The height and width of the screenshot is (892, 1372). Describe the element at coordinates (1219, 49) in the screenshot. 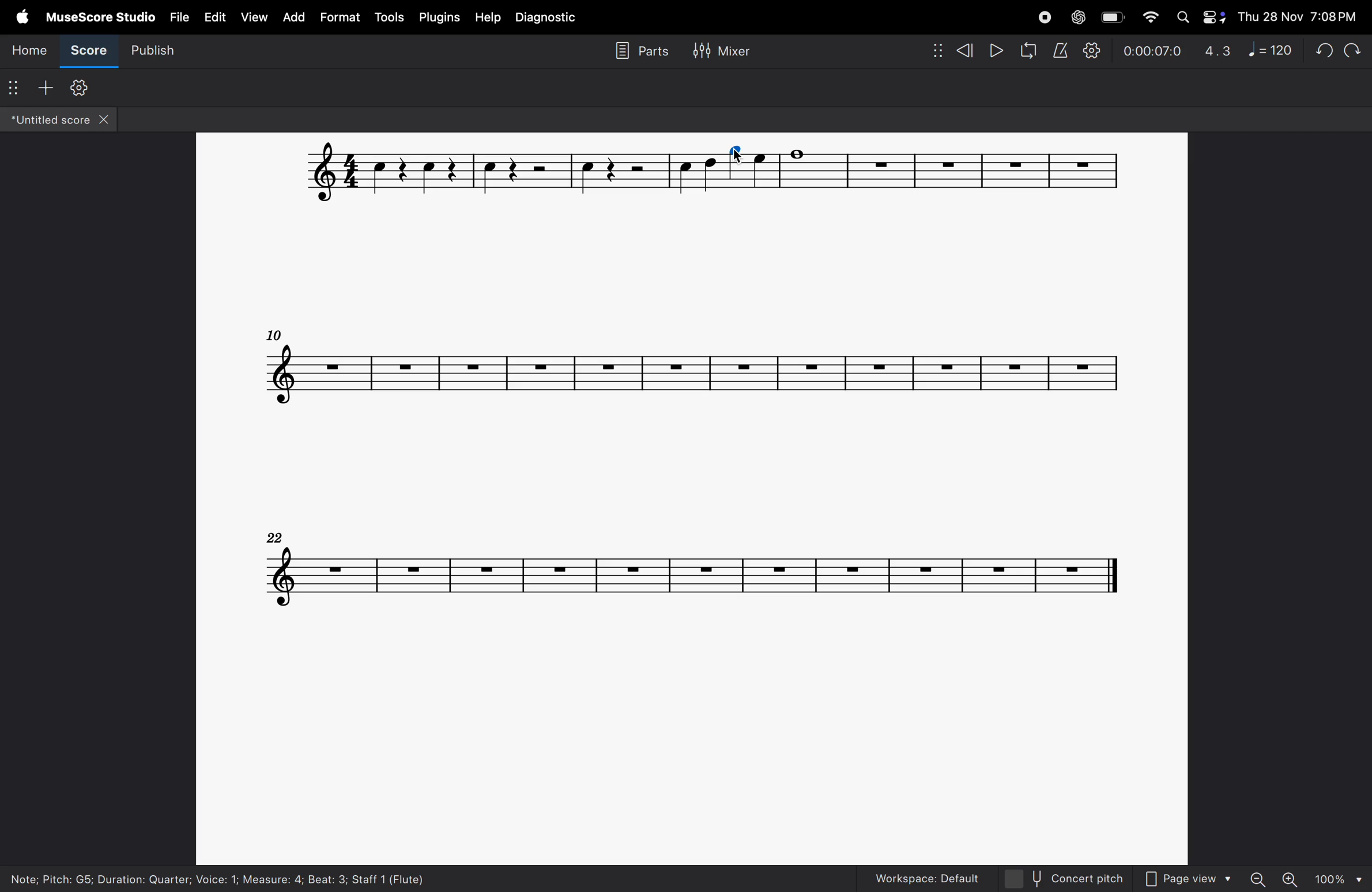

I see `4.3` at that location.